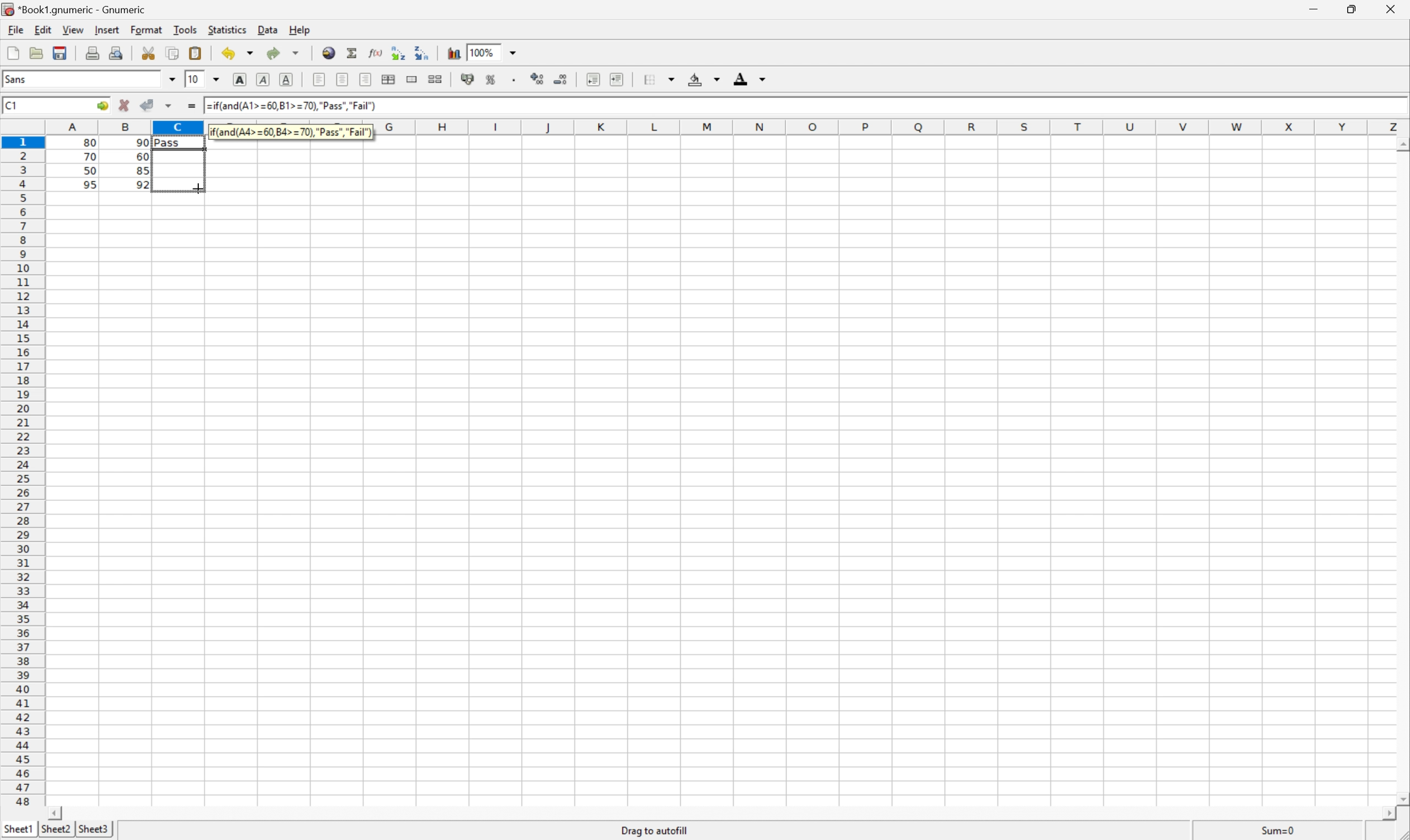  Describe the element at coordinates (146, 105) in the screenshot. I see `Accept changes` at that location.